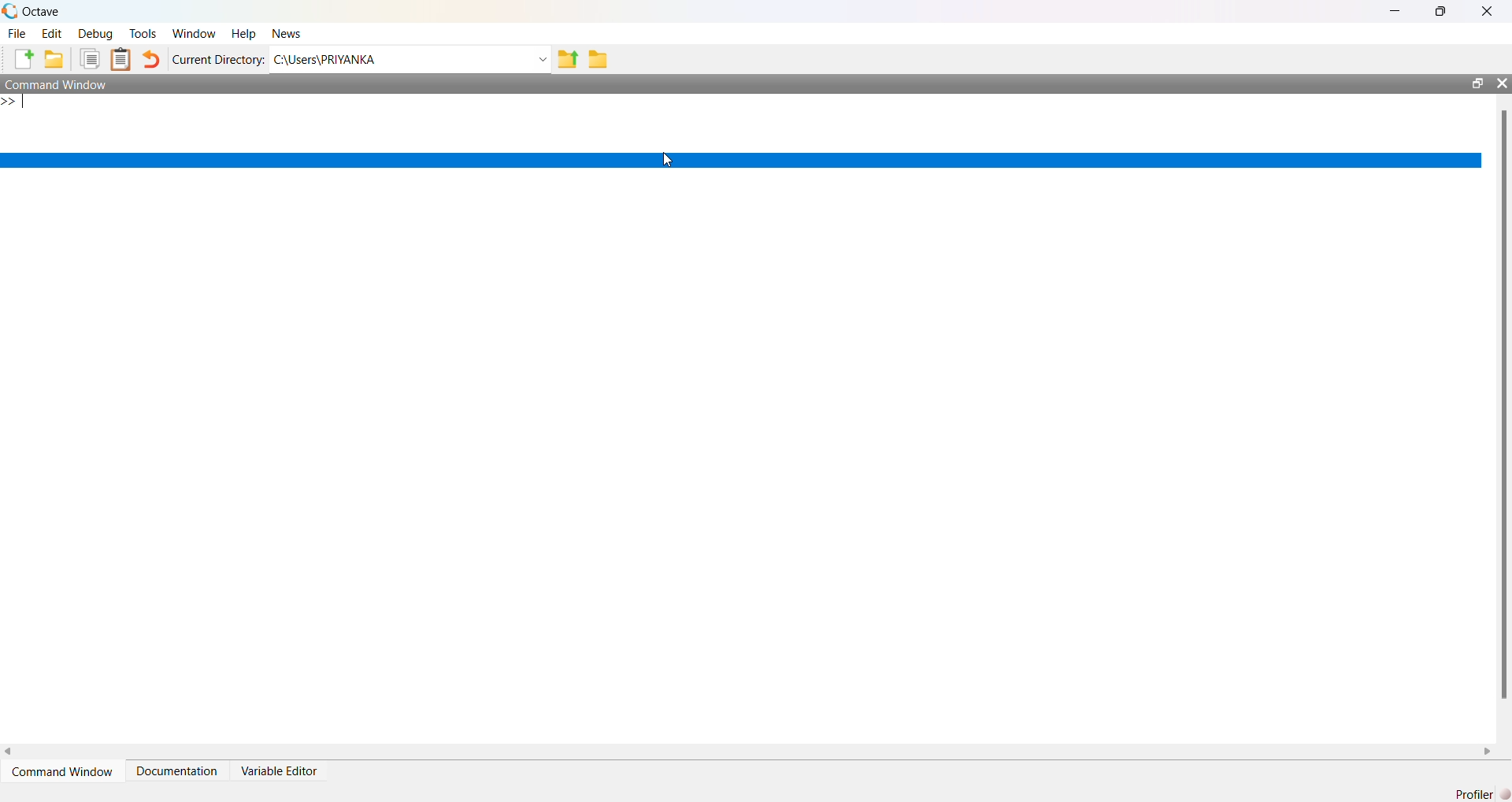 This screenshot has width=1512, height=802. I want to click on File, so click(17, 34).